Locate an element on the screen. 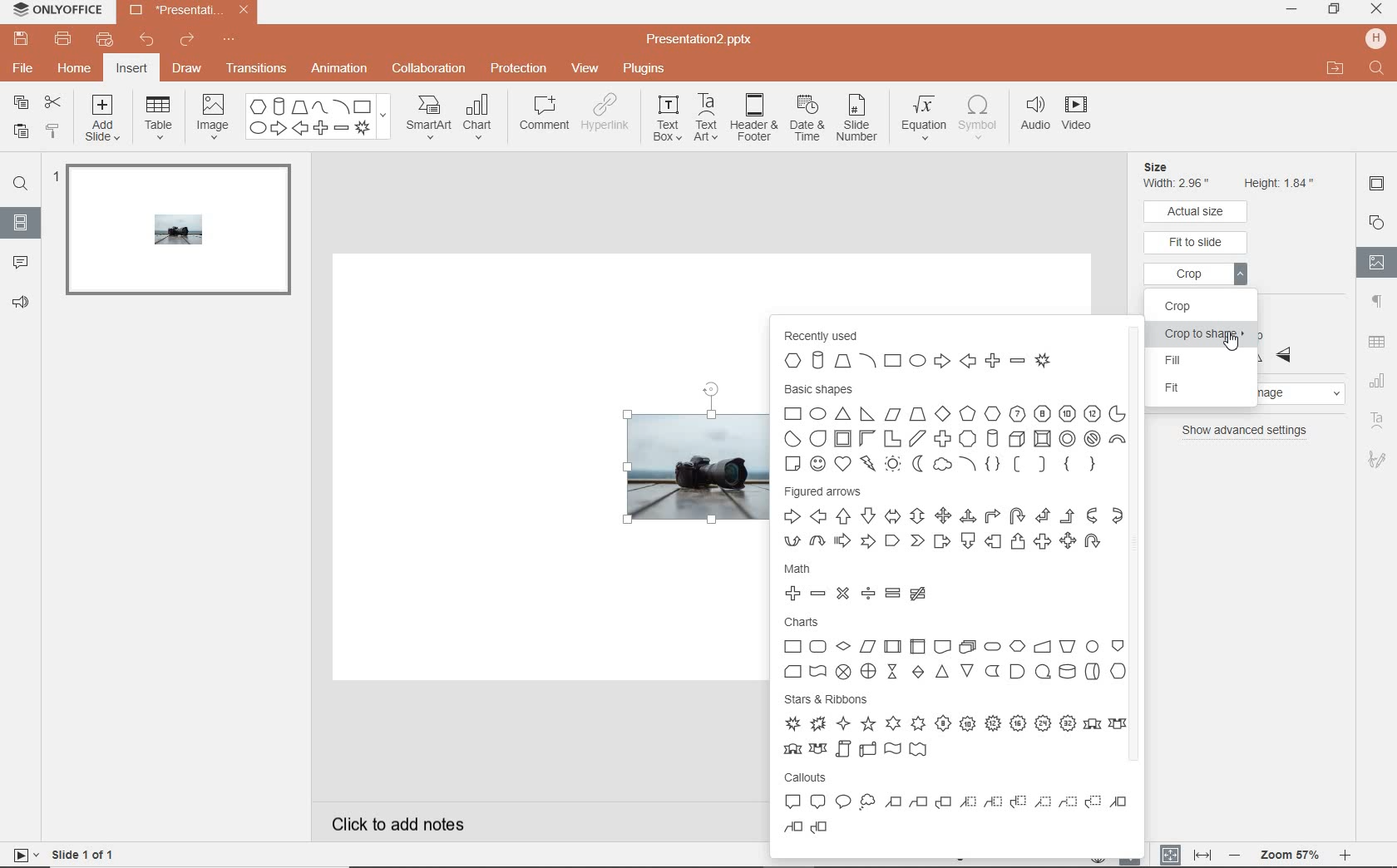 This screenshot has height=868, width=1397. crop is located at coordinates (1198, 277).